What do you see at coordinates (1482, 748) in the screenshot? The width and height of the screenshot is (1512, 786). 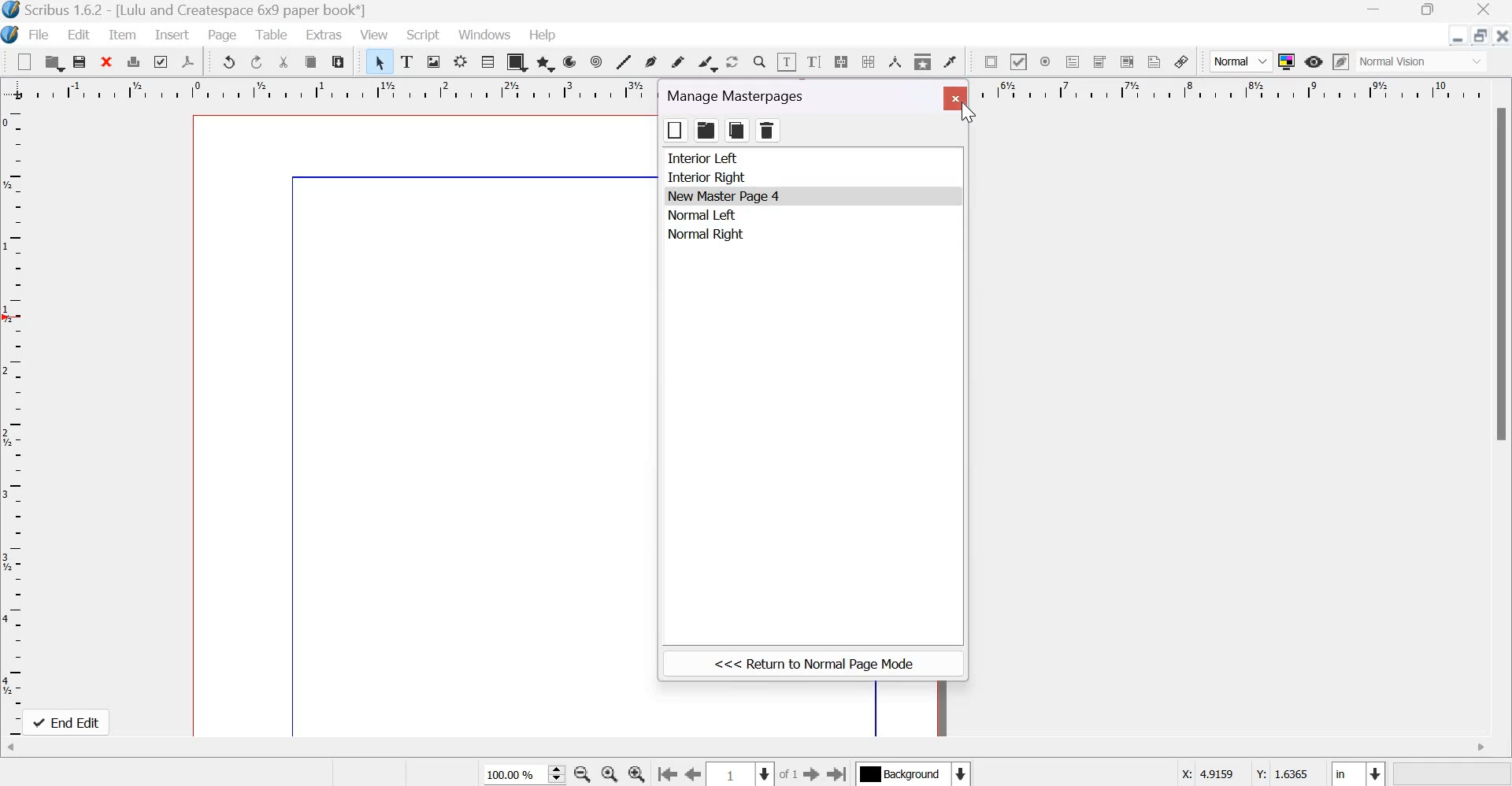 I see `scroll right` at bounding box center [1482, 748].